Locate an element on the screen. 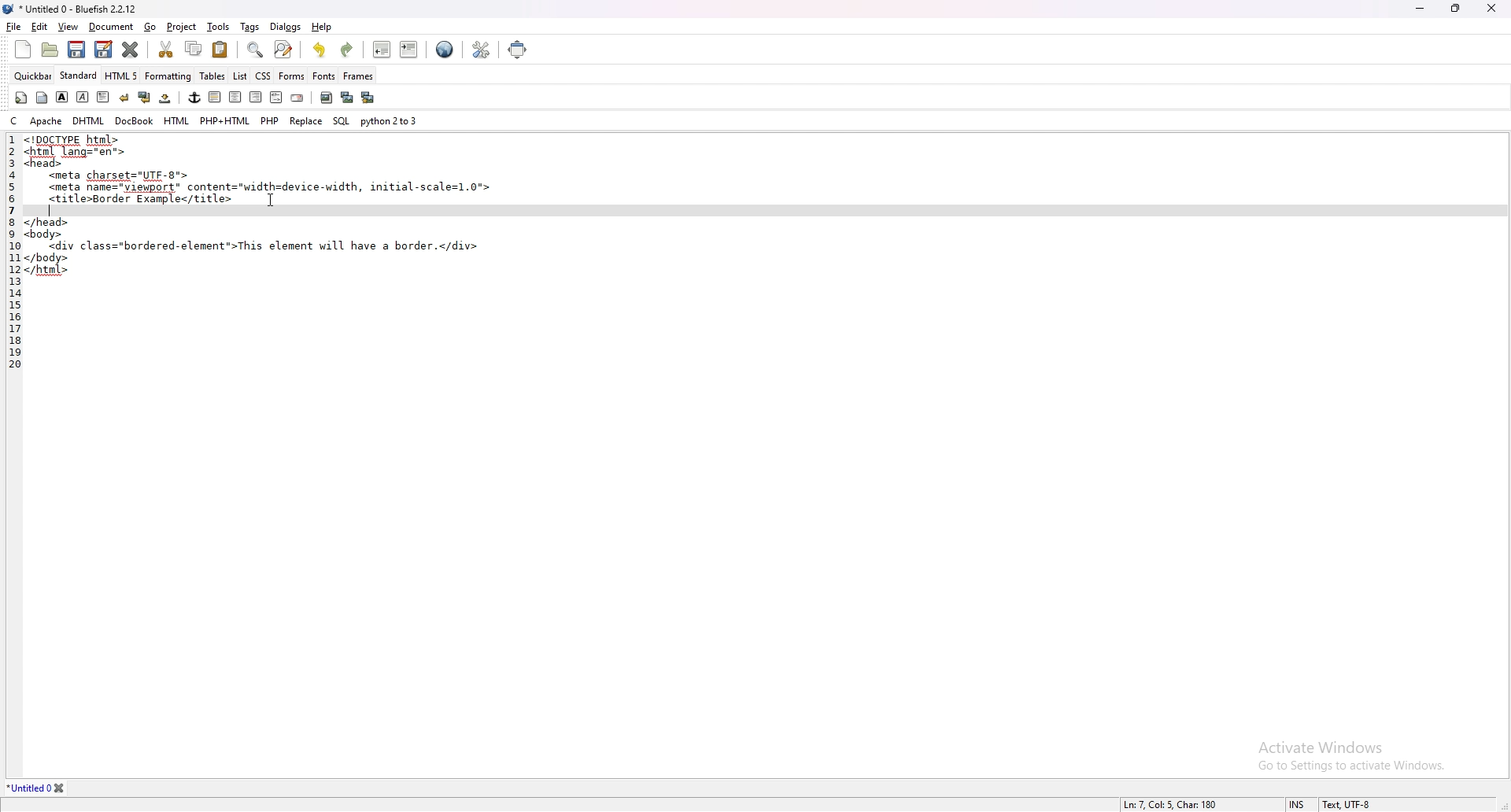 Image resolution: width=1511 pixels, height=812 pixels. body is located at coordinates (42, 98).